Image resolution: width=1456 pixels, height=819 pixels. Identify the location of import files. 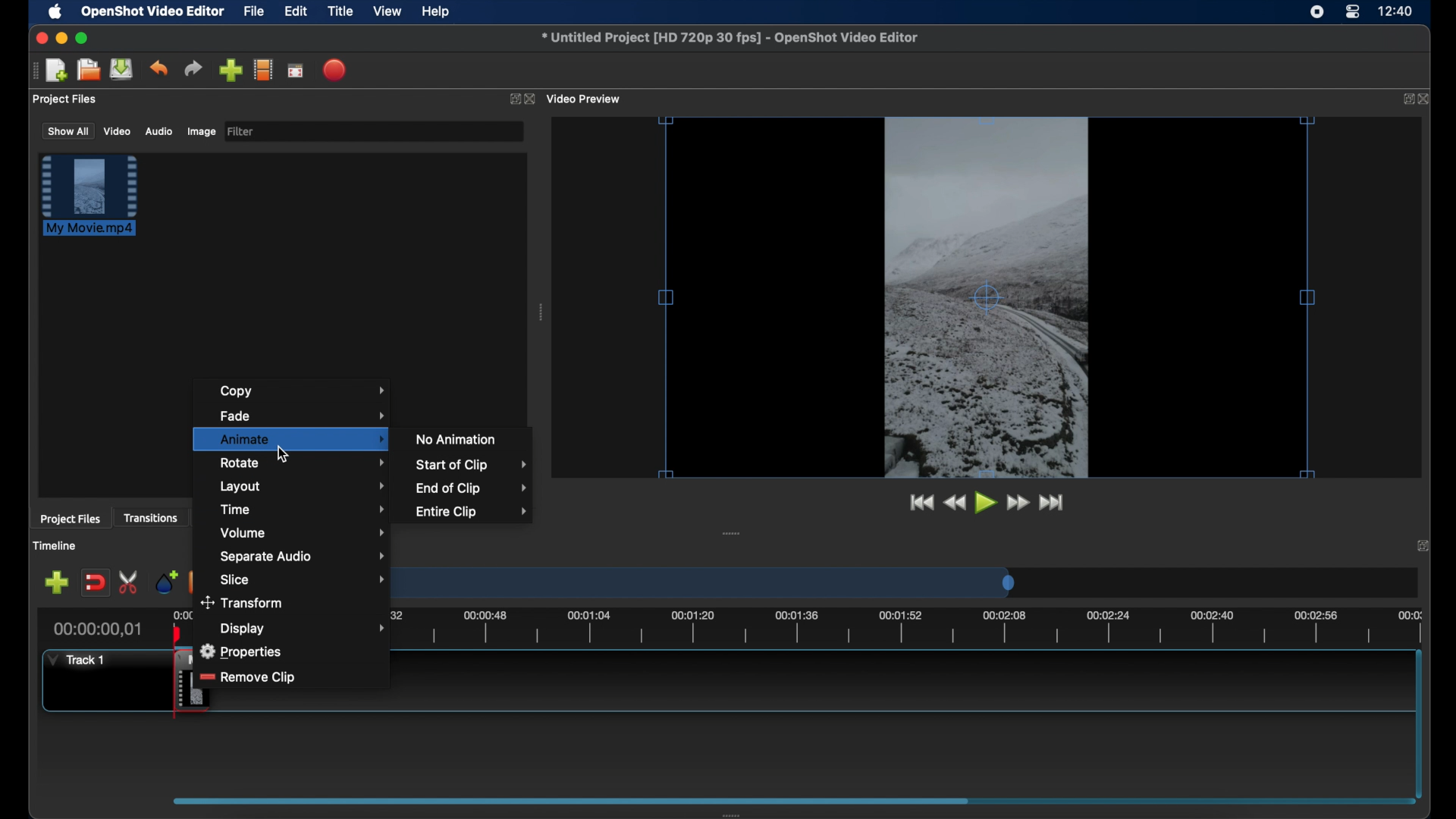
(231, 71).